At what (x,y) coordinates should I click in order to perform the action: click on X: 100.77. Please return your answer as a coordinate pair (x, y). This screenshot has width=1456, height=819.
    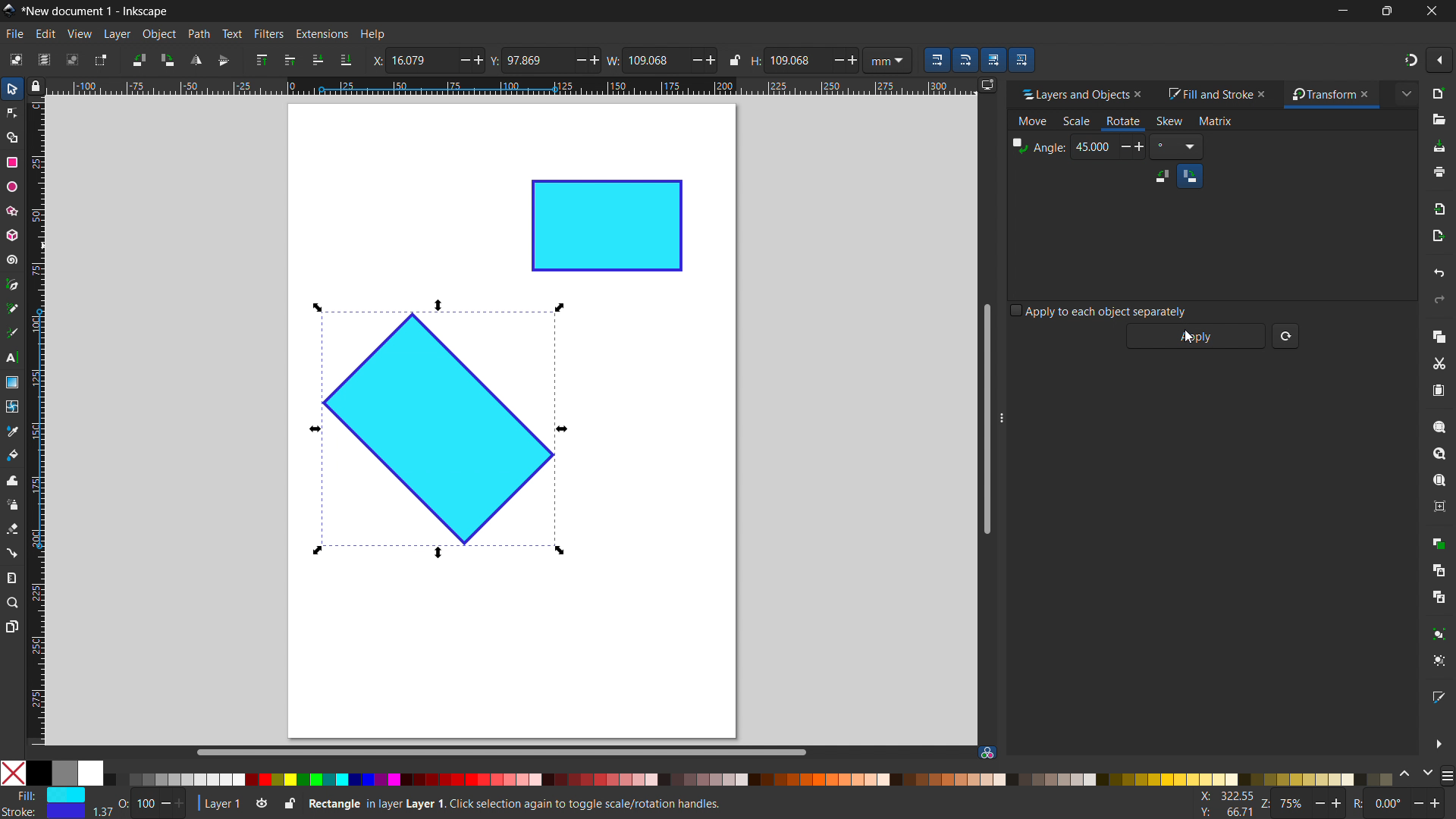
    Looking at the image, I should click on (1222, 797).